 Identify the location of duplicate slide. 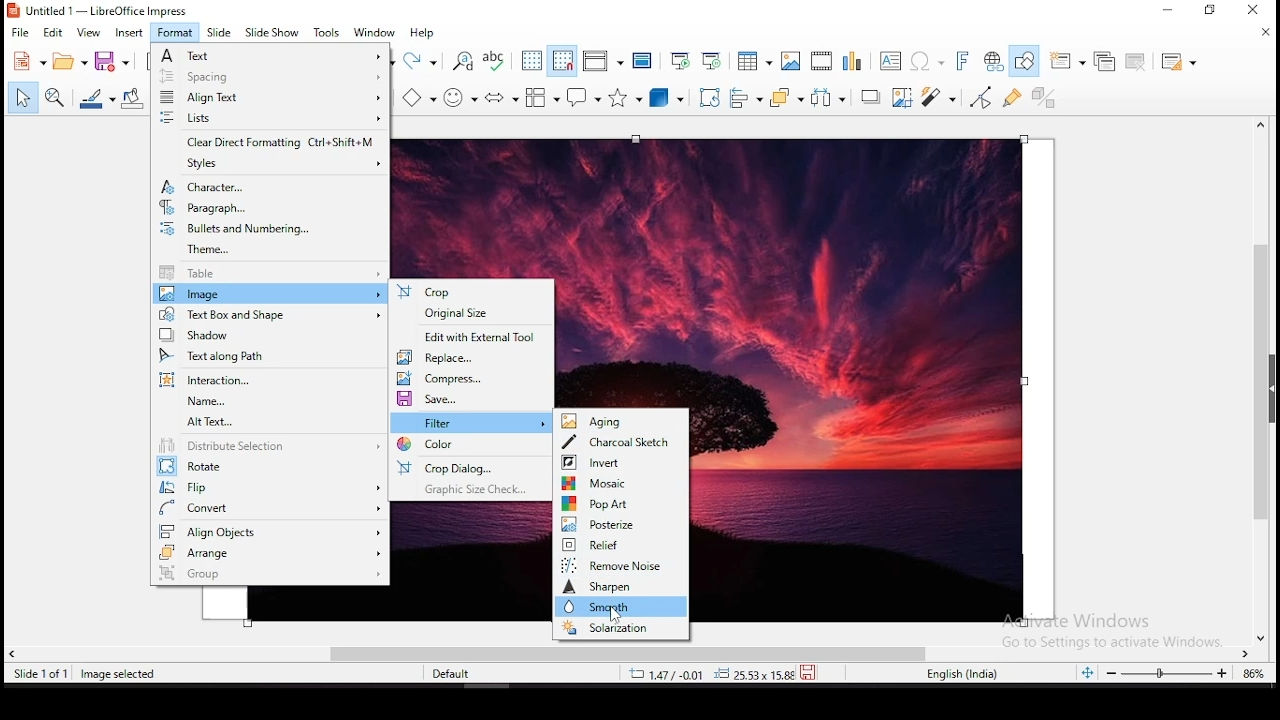
(1102, 60).